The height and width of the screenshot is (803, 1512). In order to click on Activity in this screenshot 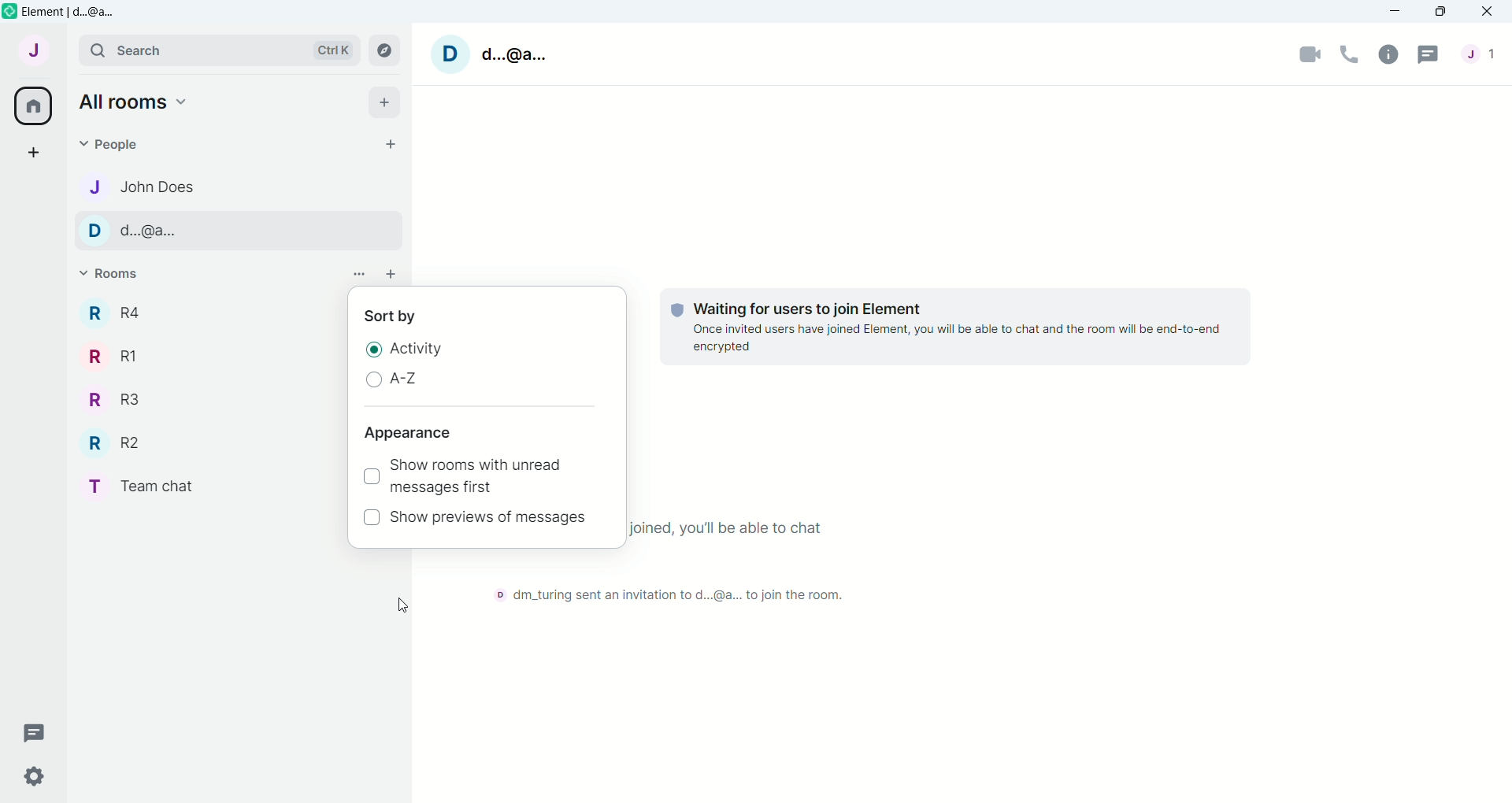, I will do `click(422, 350)`.